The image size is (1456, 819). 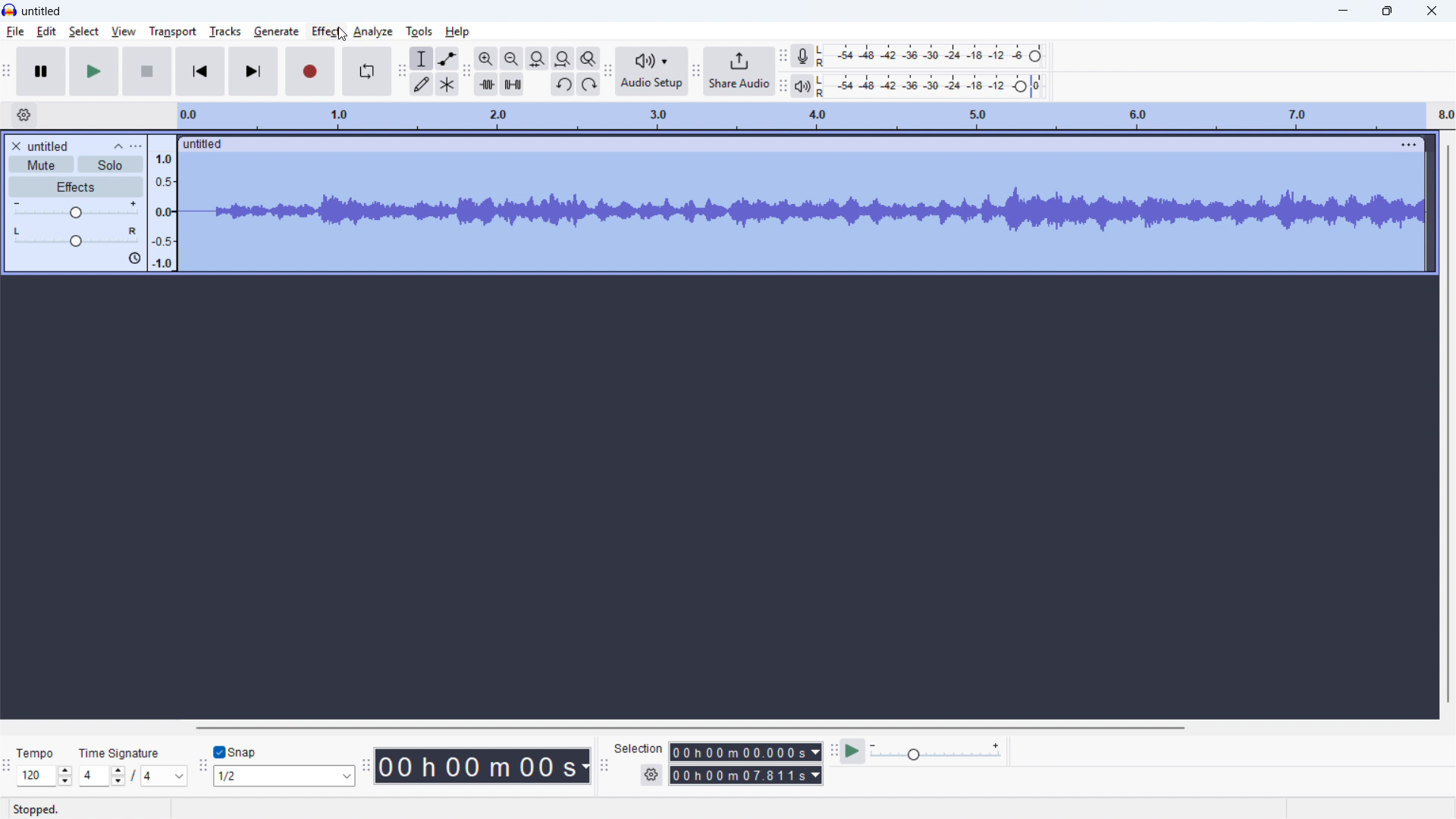 What do you see at coordinates (310, 72) in the screenshot?
I see `record` at bounding box center [310, 72].